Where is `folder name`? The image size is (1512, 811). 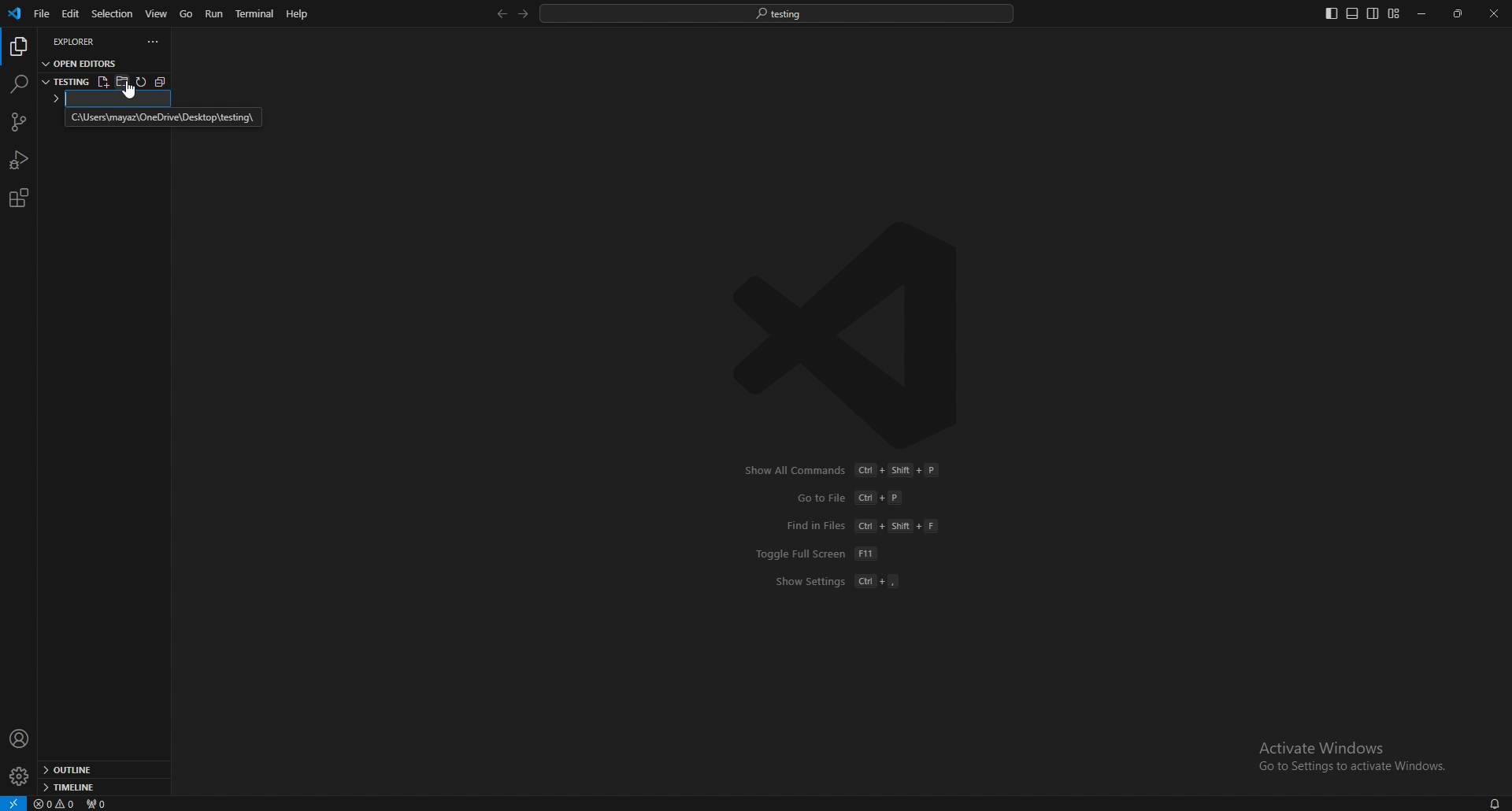
folder name is located at coordinates (65, 80).